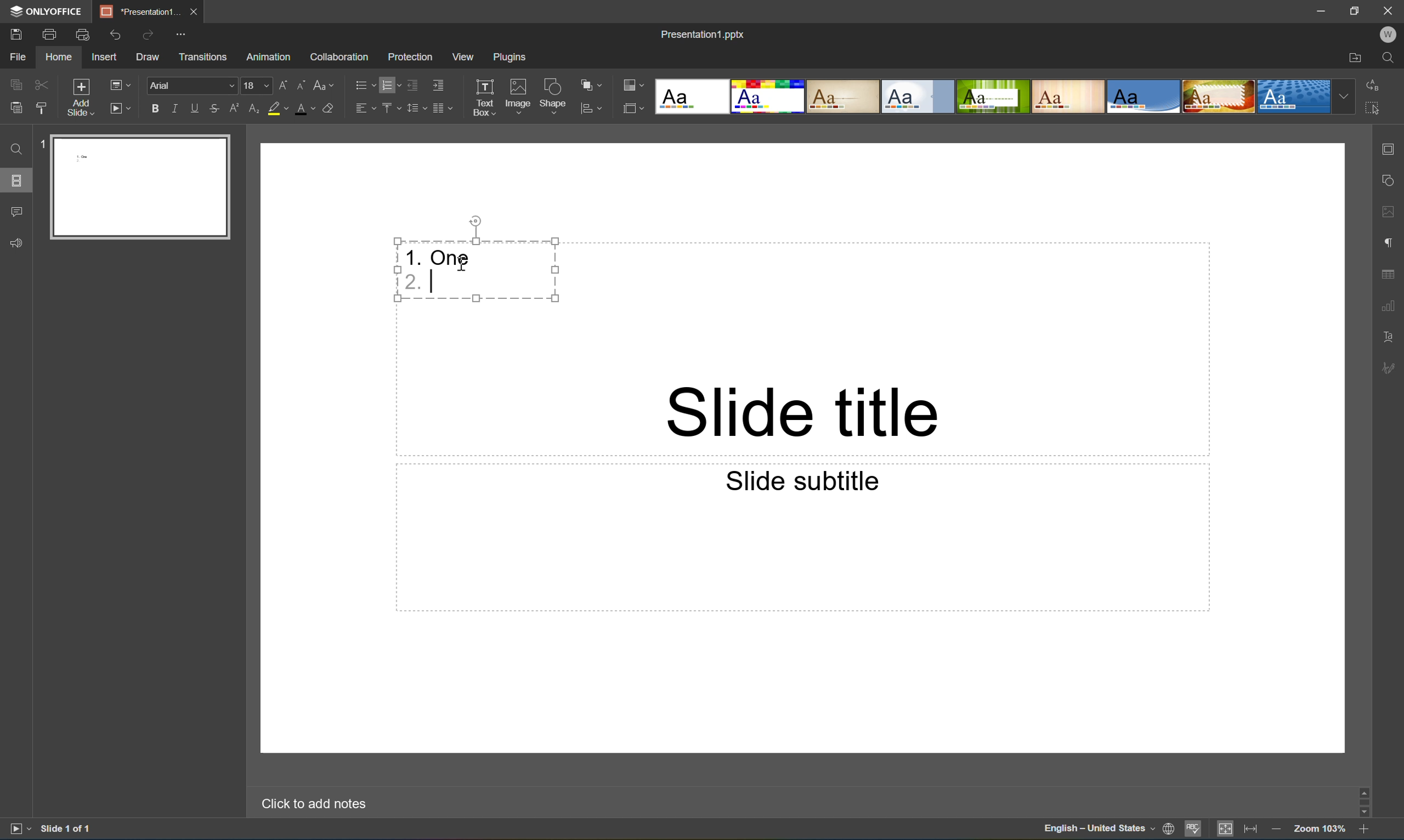 Image resolution: width=1404 pixels, height=840 pixels. What do you see at coordinates (304, 110) in the screenshot?
I see `Font color` at bounding box center [304, 110].